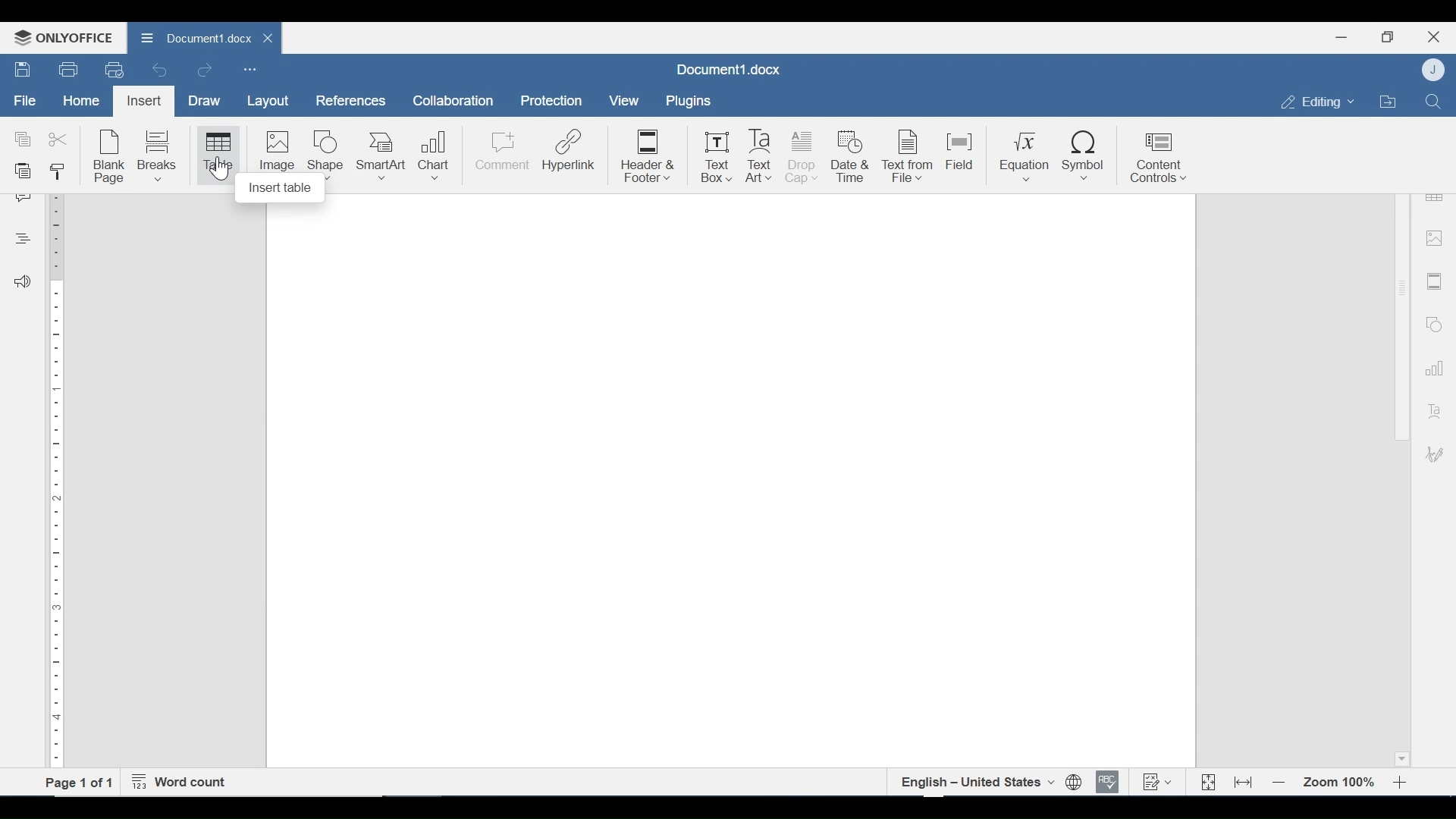 This screenshot has width=1456, height=819. What do you see at coordinates (1401, 757) in the screenshot?
I see `Scroll down` at bounding box center [1401, 757].